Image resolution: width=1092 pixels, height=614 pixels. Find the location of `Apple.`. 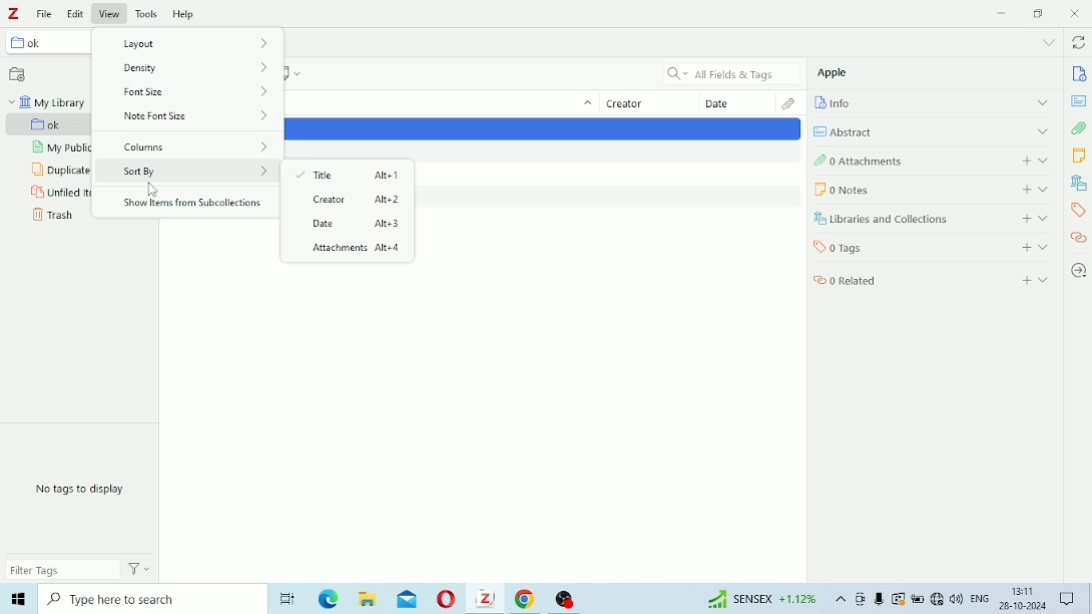

Apple. is located at coordinates (839, 75).